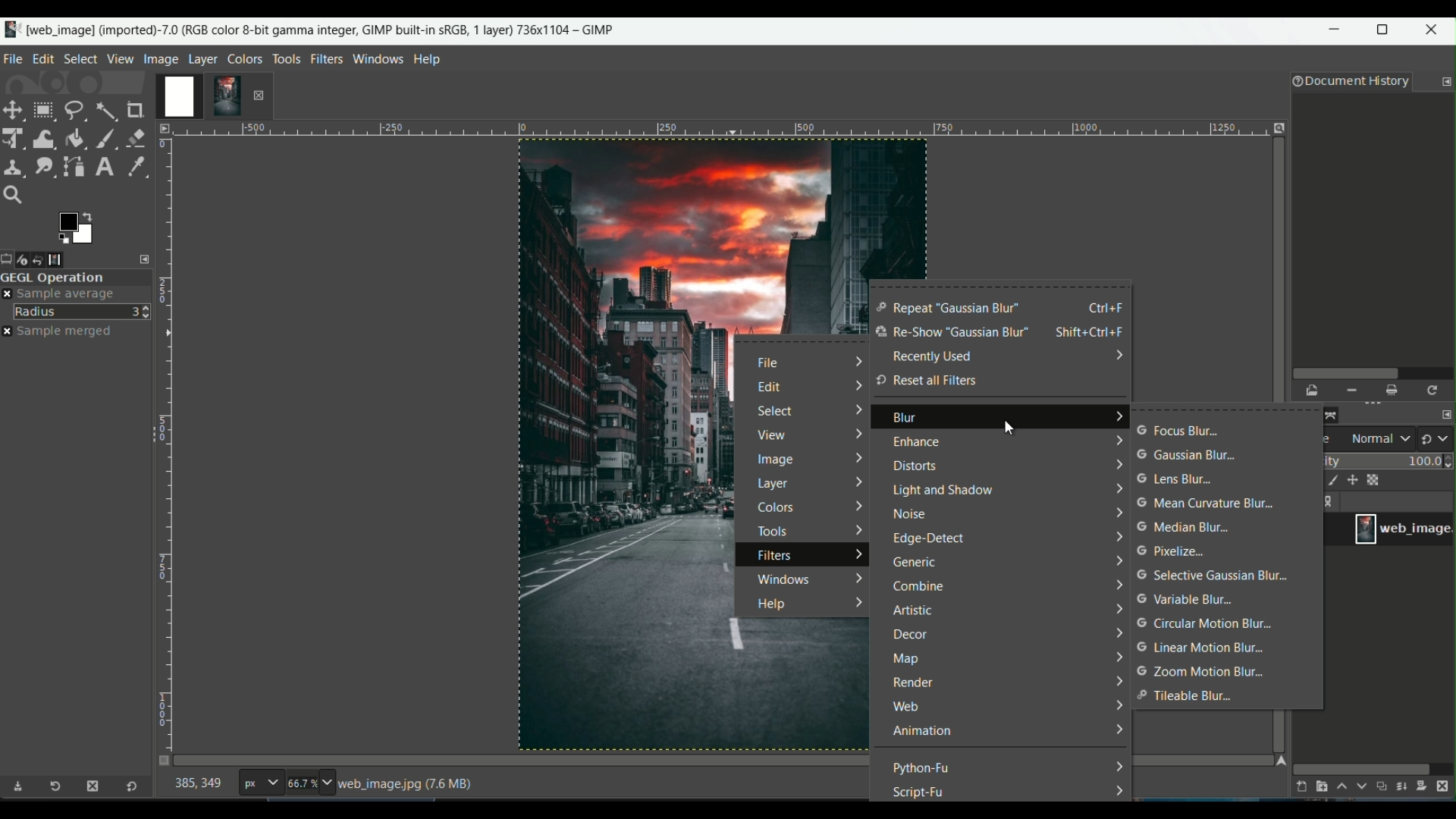  Describe the element at coordinates (1362, 789) in the screenshot. I see `lower layer` at that location.